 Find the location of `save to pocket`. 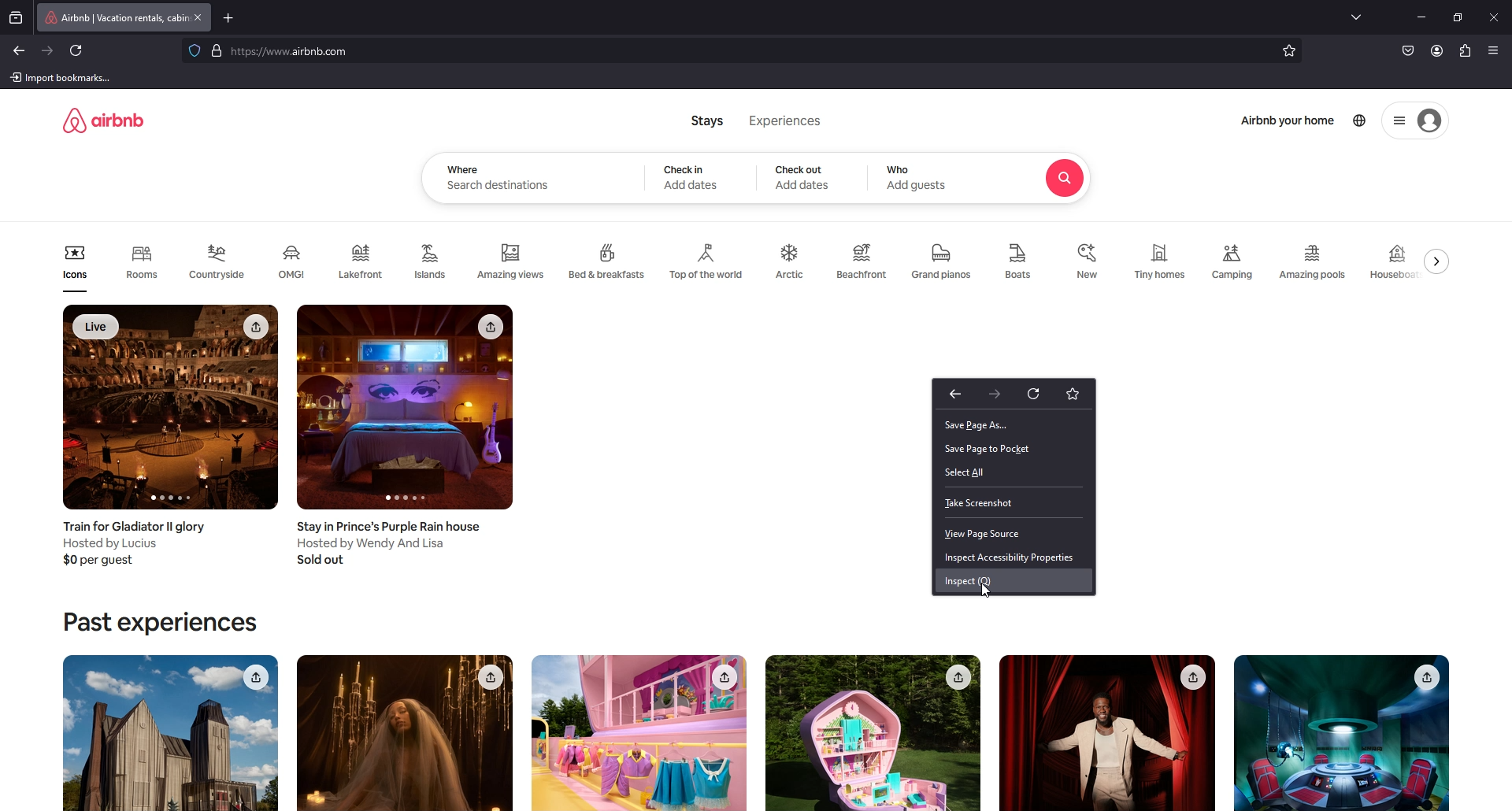

save to pocket is located at coordinates (1408, 52).